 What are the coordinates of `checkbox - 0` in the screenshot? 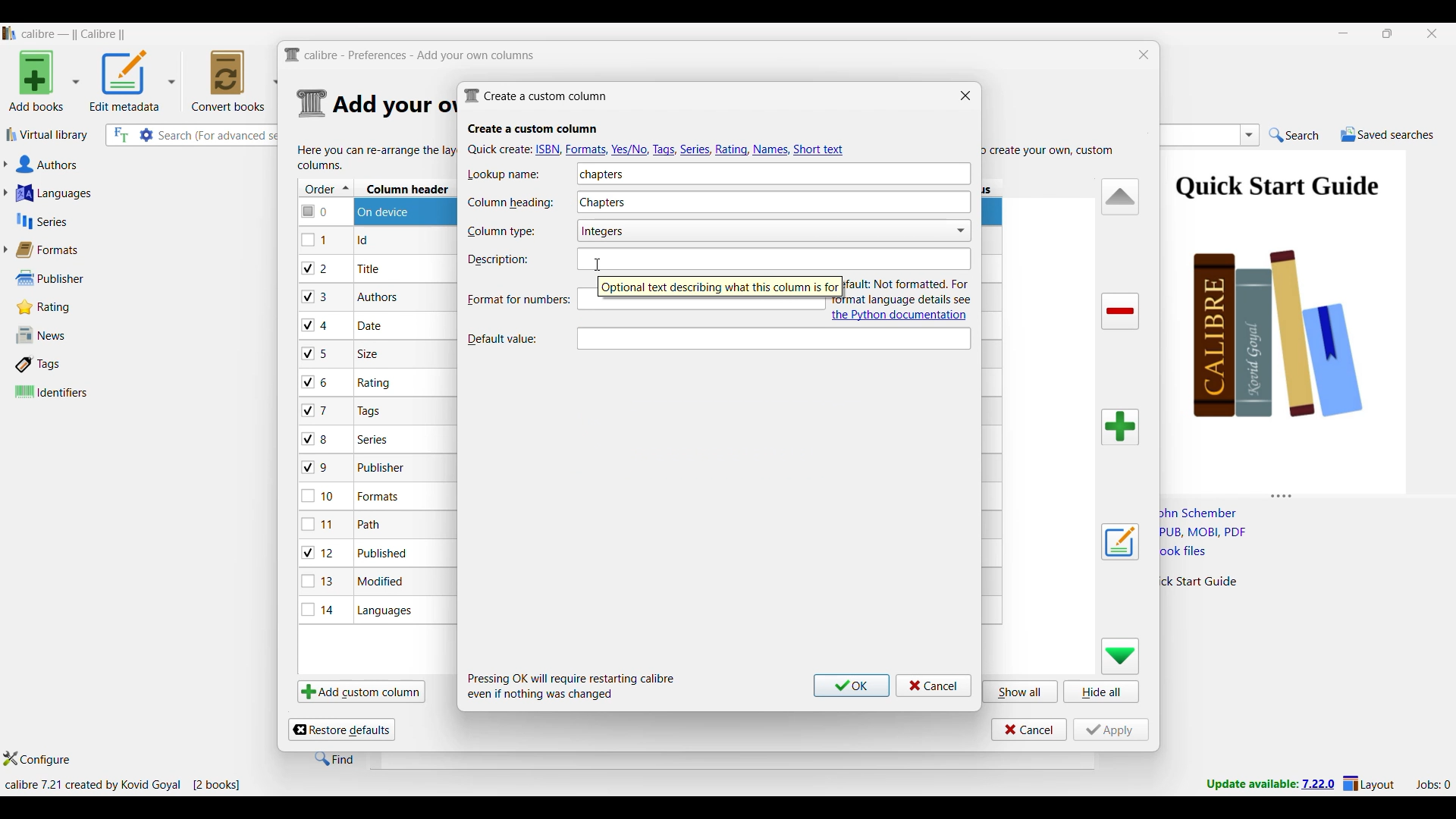 It's located at (316, 210).